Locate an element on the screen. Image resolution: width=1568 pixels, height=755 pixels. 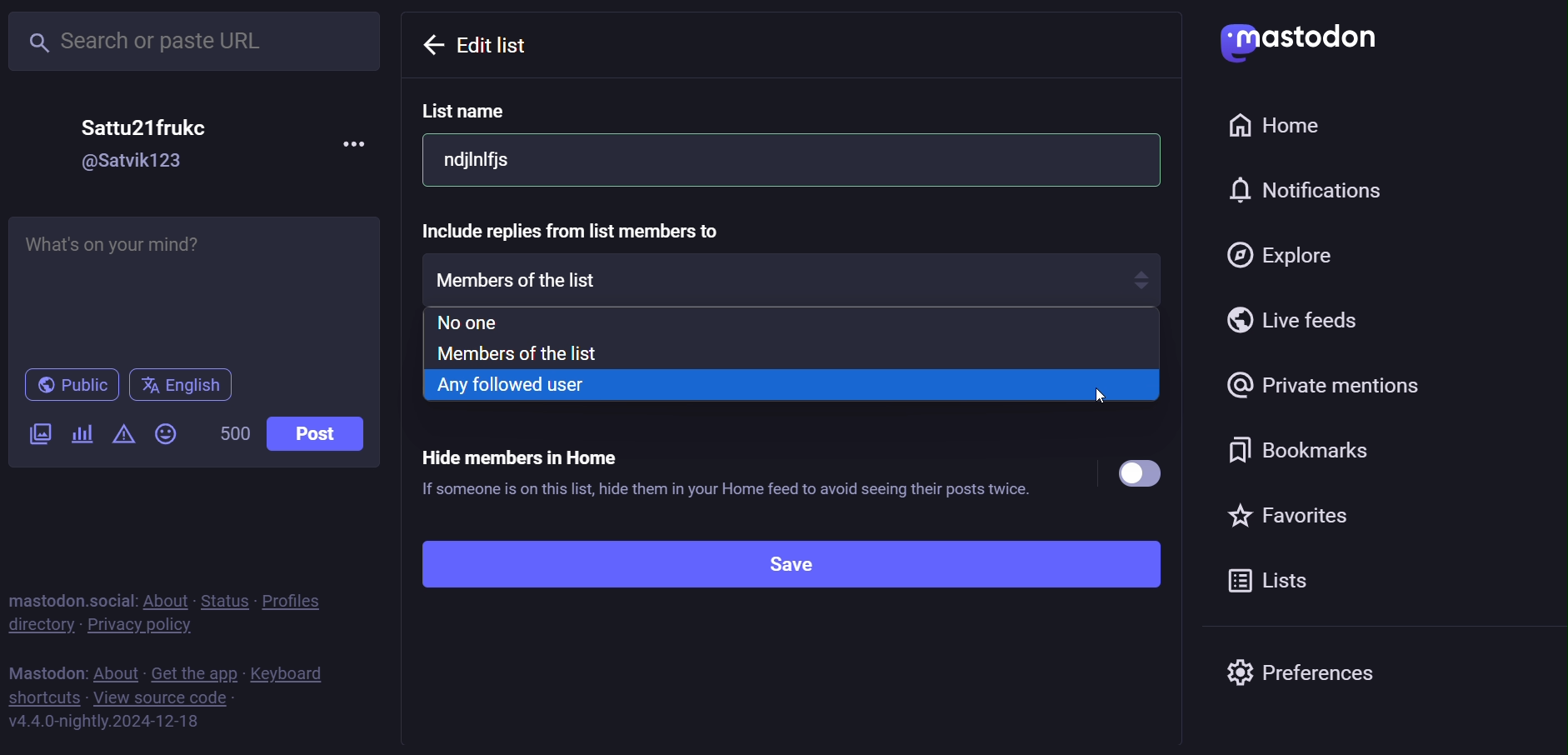
Whats on your mind is located at coordinates (194, 284).